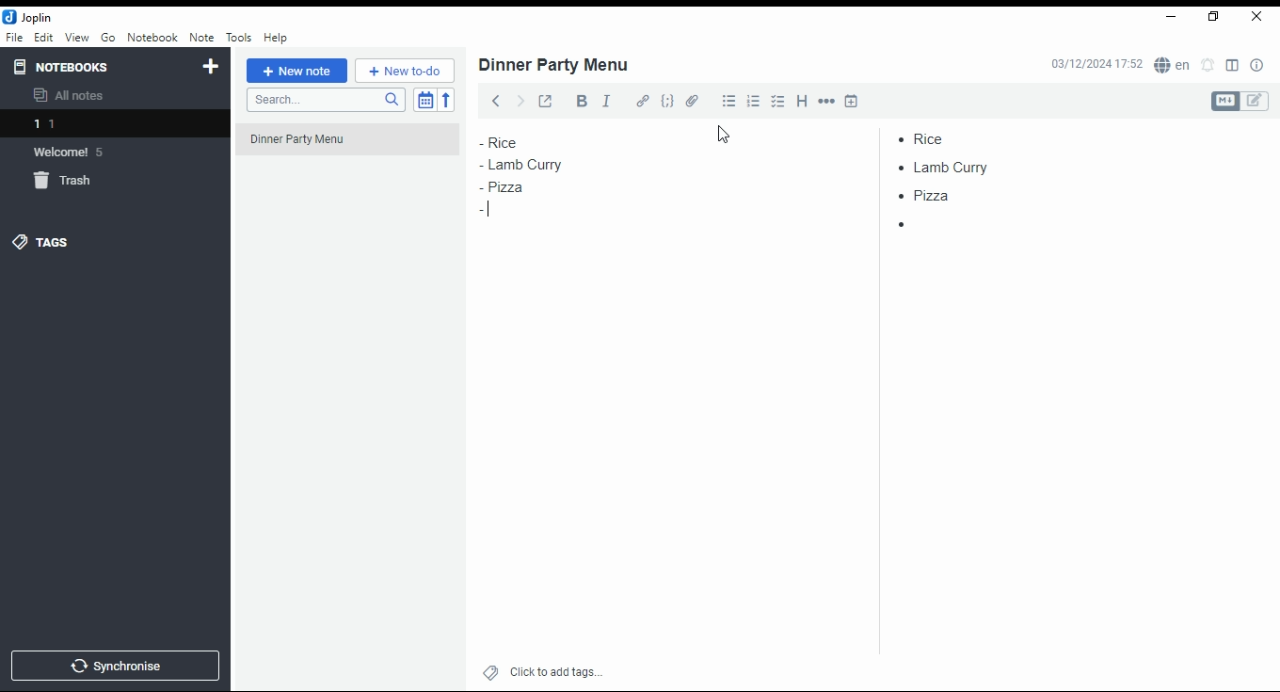 This screenshot has width=1280, height=692. What do you see at coordinates (114, 666) in the screenshot?
I see `synchronize` at bounding box center [114, 666].